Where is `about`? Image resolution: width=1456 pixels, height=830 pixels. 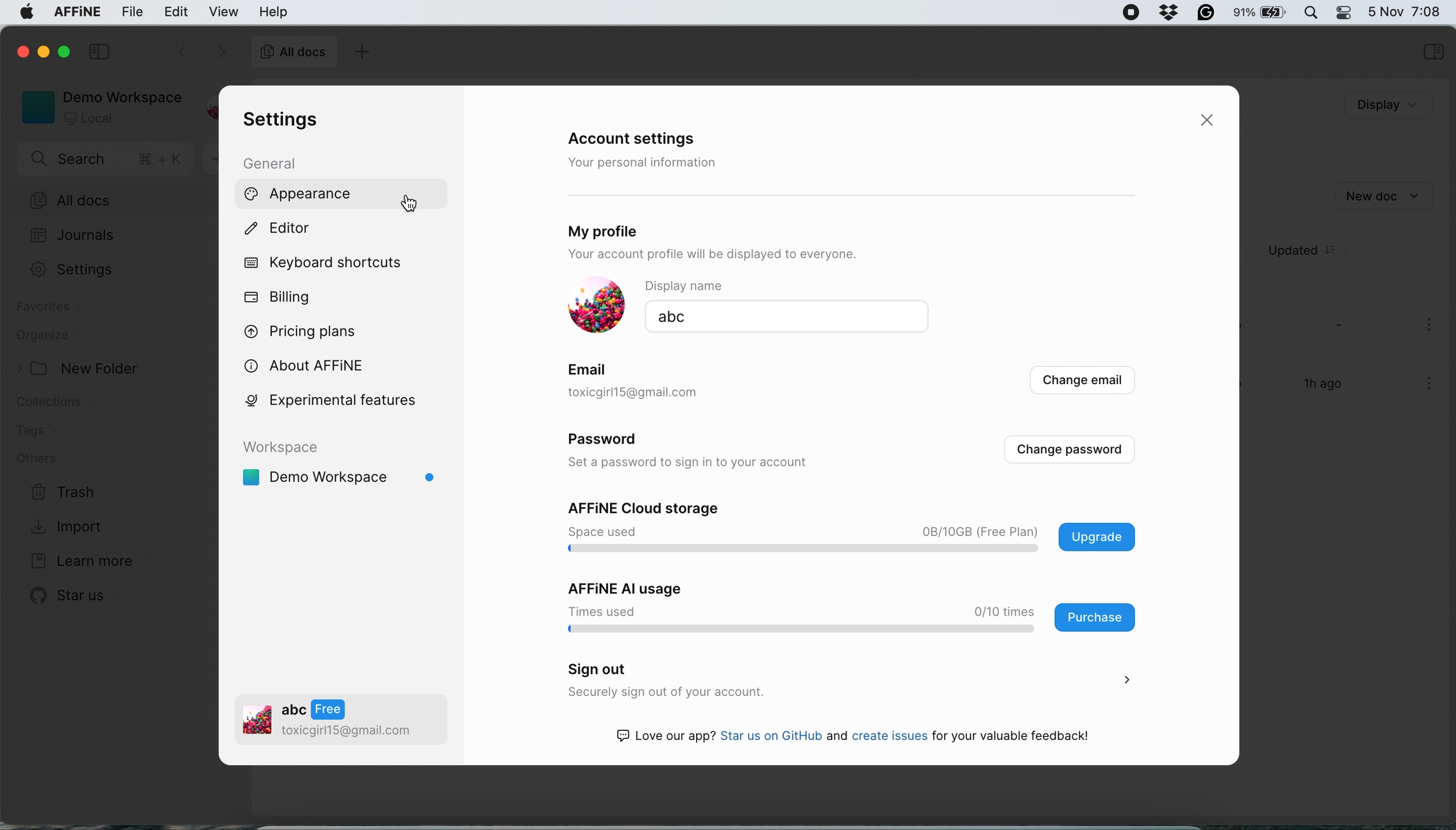
about is located at coordinates (311, 365).